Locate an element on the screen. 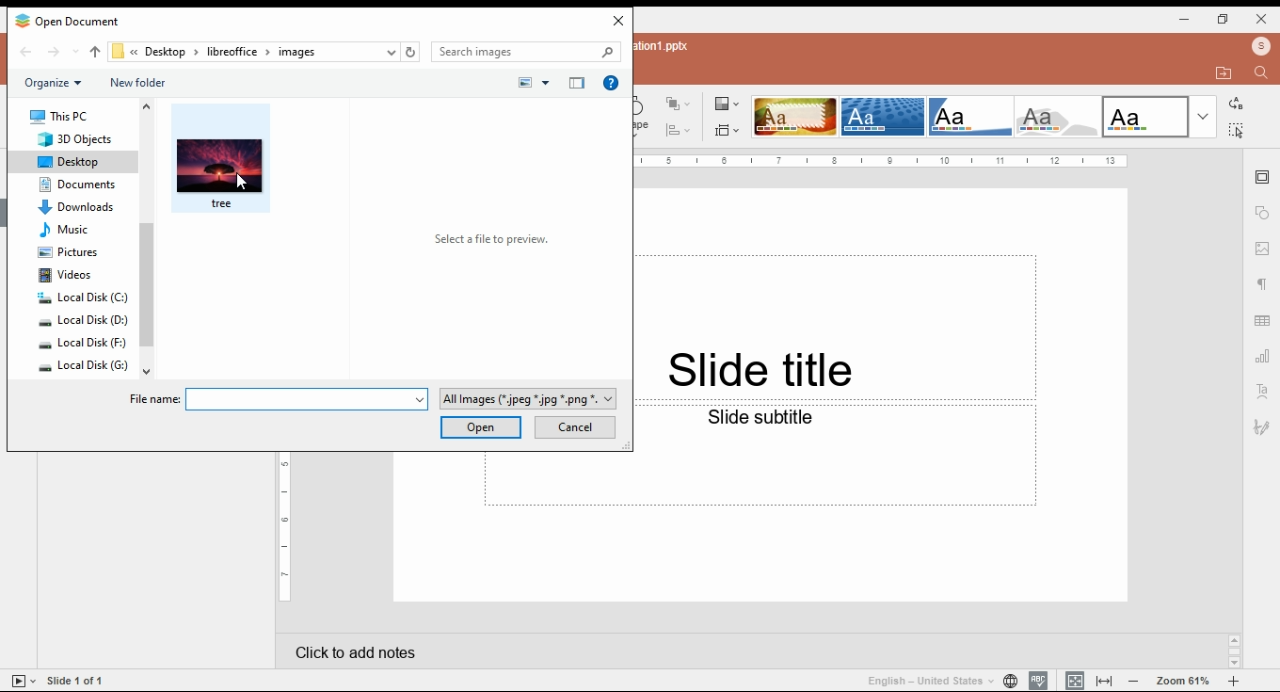  back is located at coordinates (26, 52).